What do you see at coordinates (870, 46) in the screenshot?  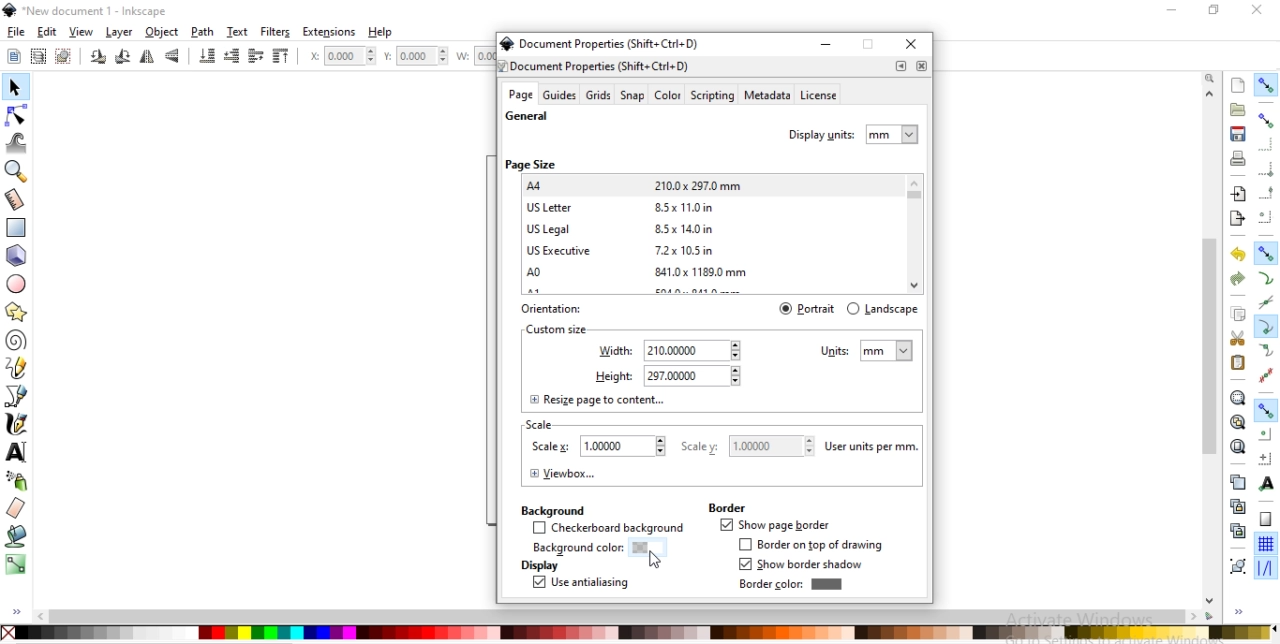 I see `restore down` at bounding box center [870, 46].